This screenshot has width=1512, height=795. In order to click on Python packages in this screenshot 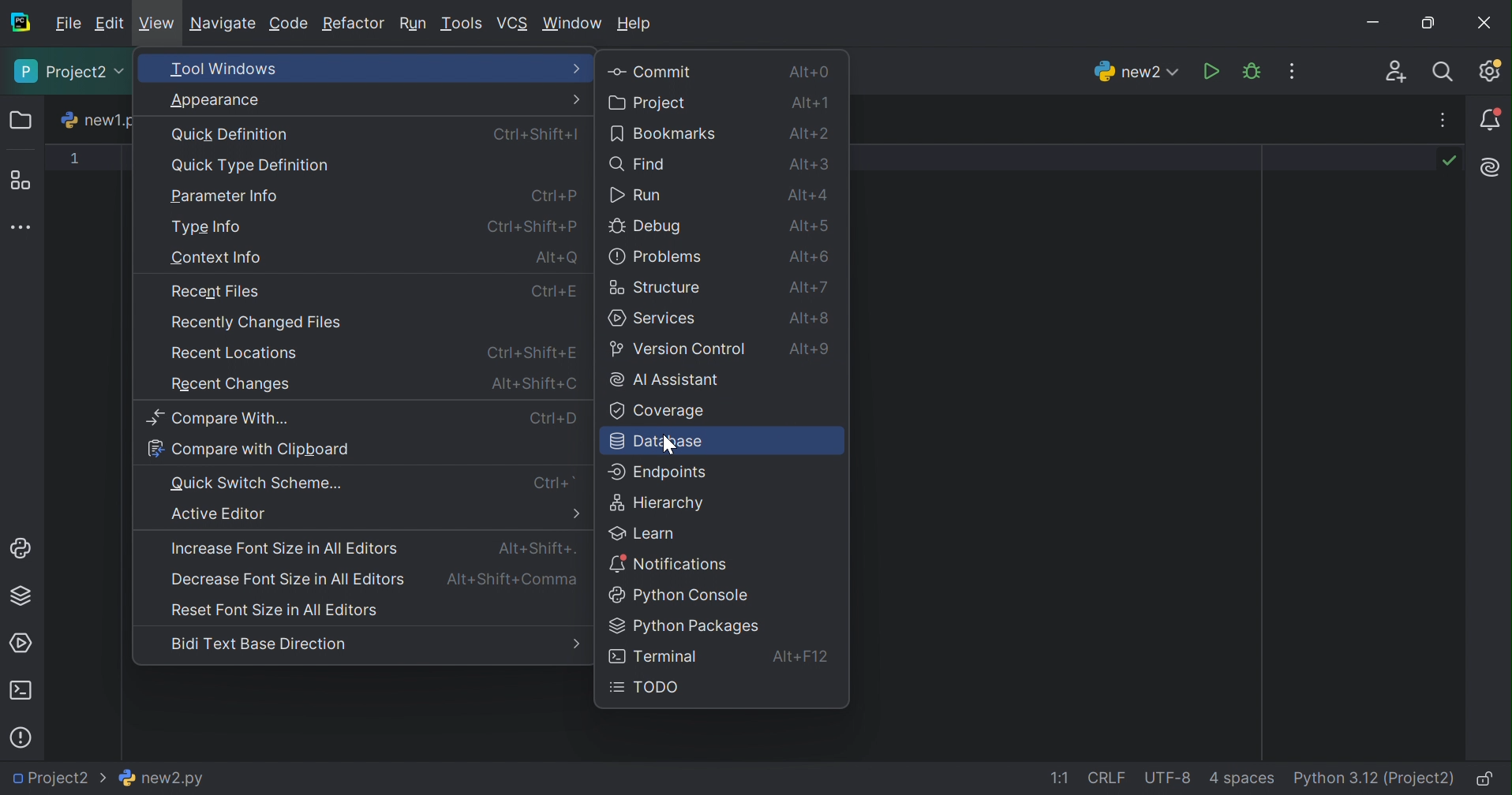, I will do `click(684, 626)`.